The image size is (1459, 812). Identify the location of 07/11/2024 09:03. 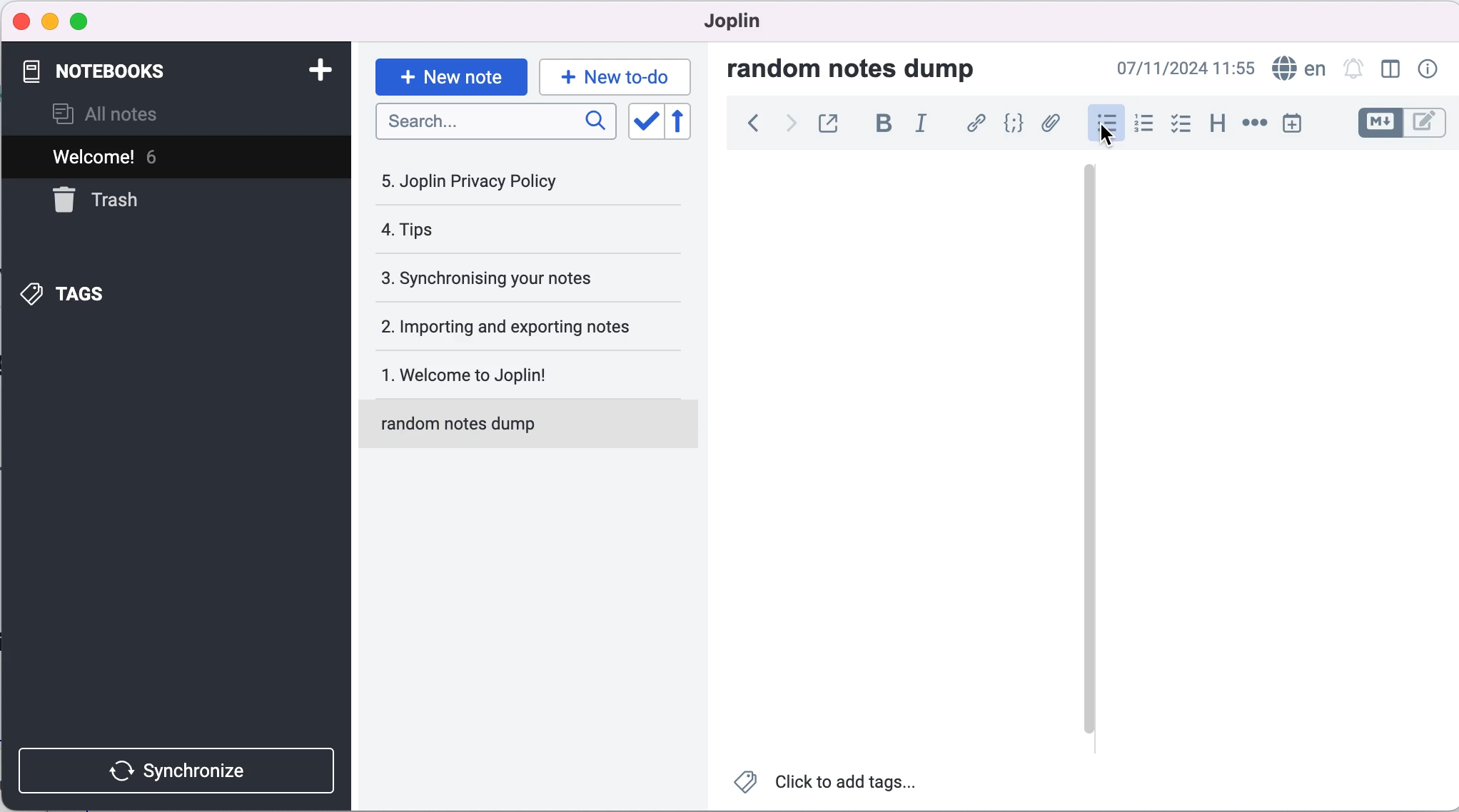
(1186, 68).